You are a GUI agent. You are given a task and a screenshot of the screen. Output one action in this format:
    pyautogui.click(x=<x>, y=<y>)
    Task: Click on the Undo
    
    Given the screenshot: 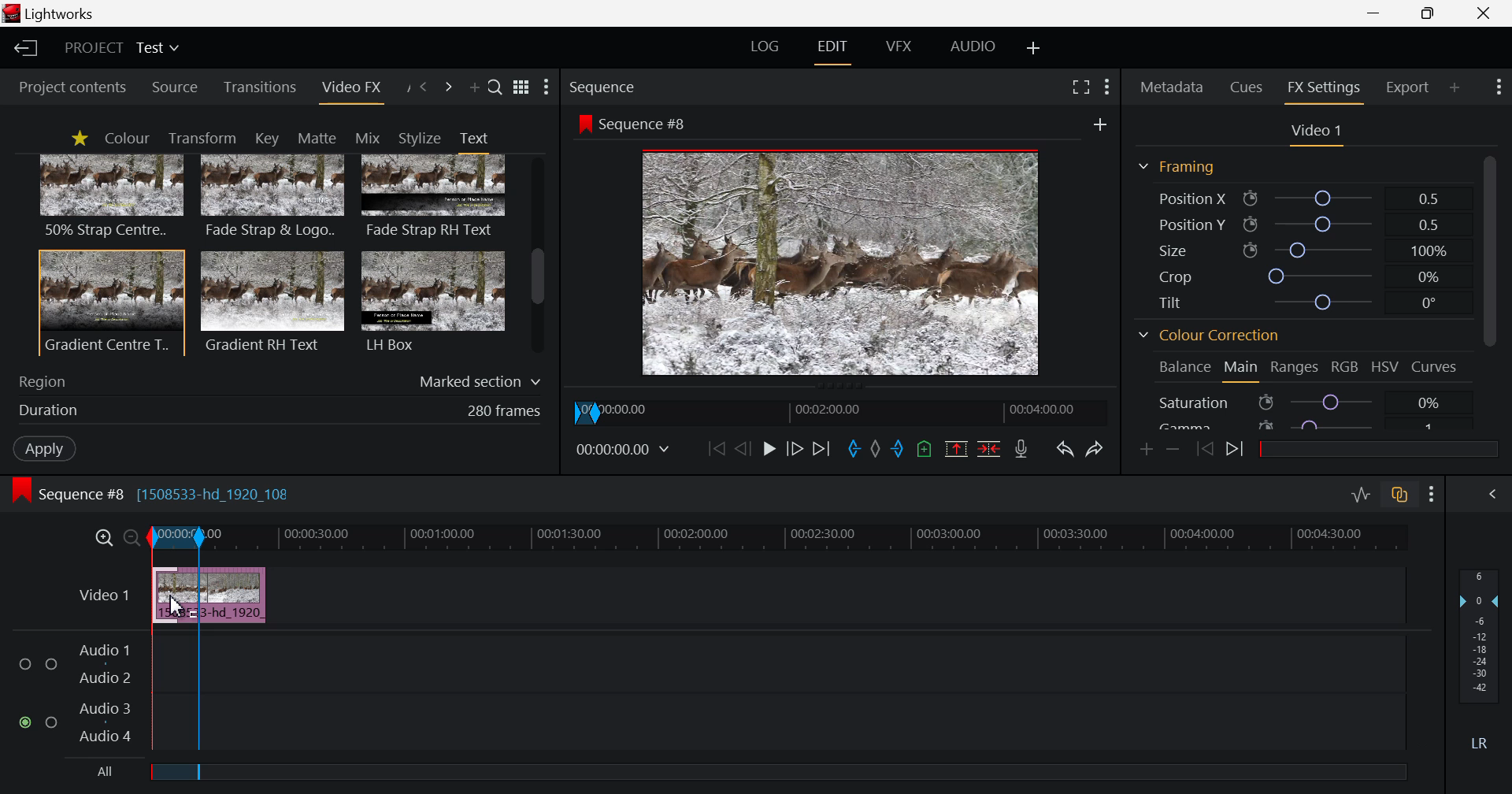 What is the action you would take?
    pyautogui.click(x=1065, y=449)
    